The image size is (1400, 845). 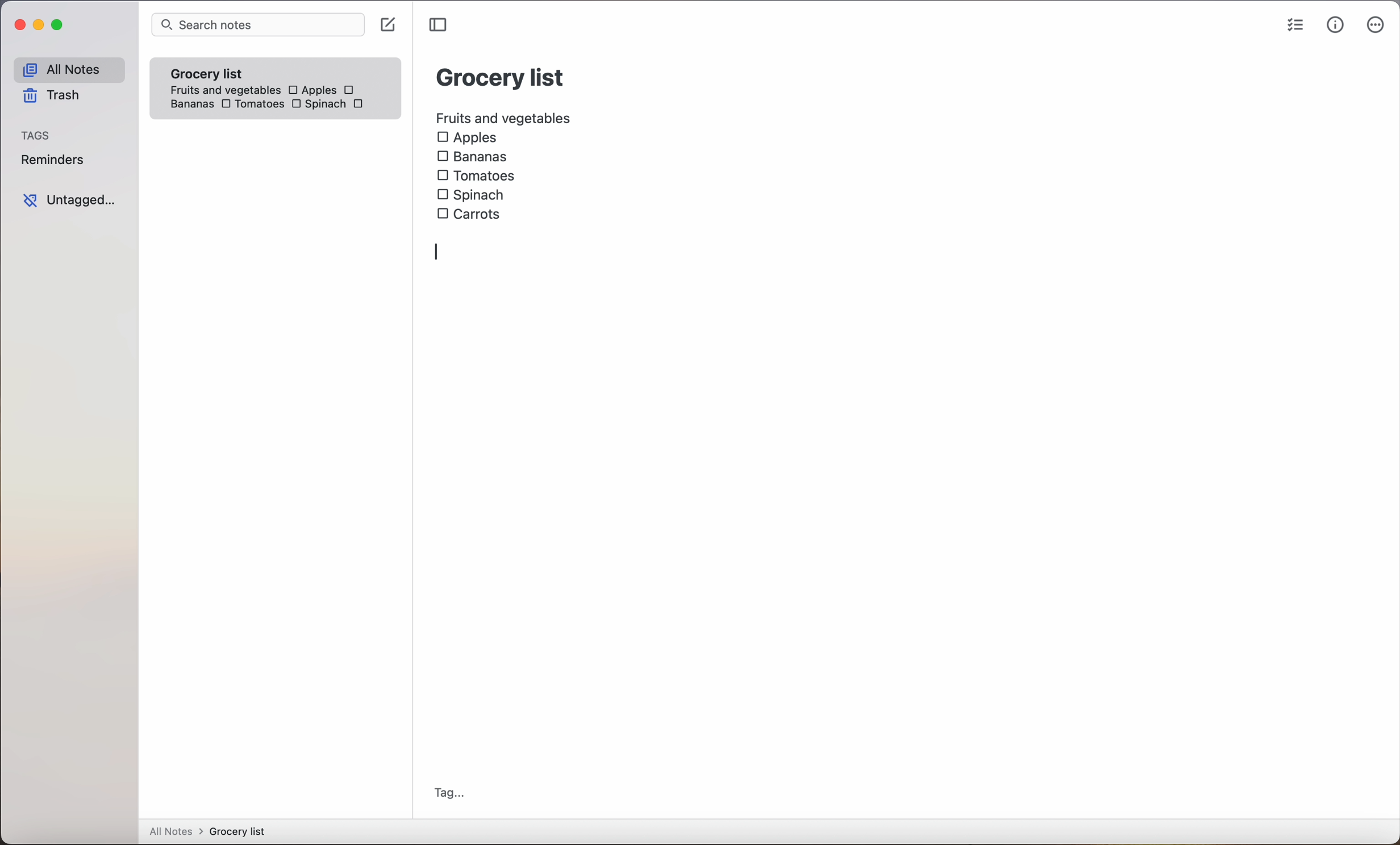 I want to click on Apples checkbox, so click(x=467, y=138).